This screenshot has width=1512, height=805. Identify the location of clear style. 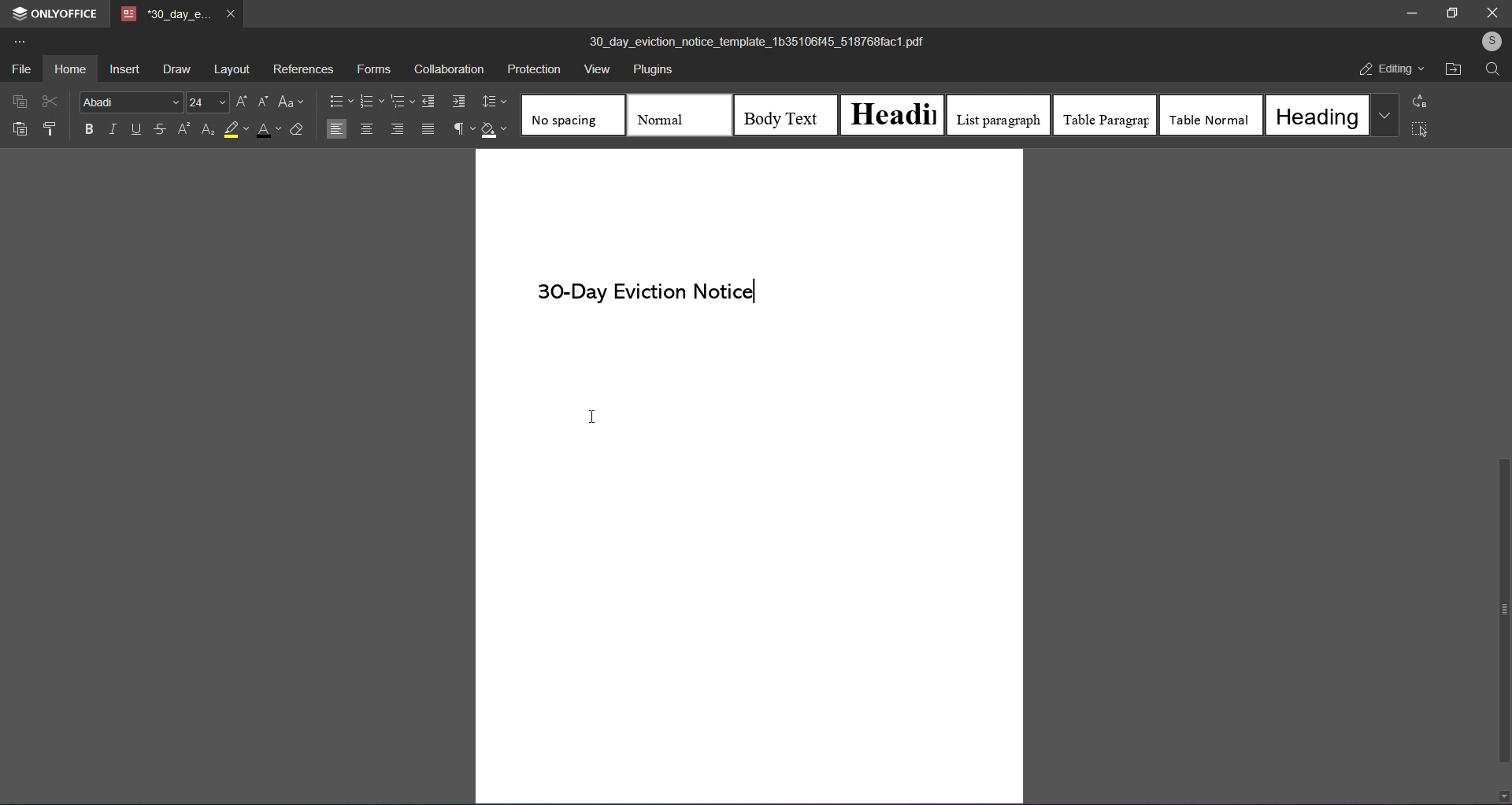
(297, 129).